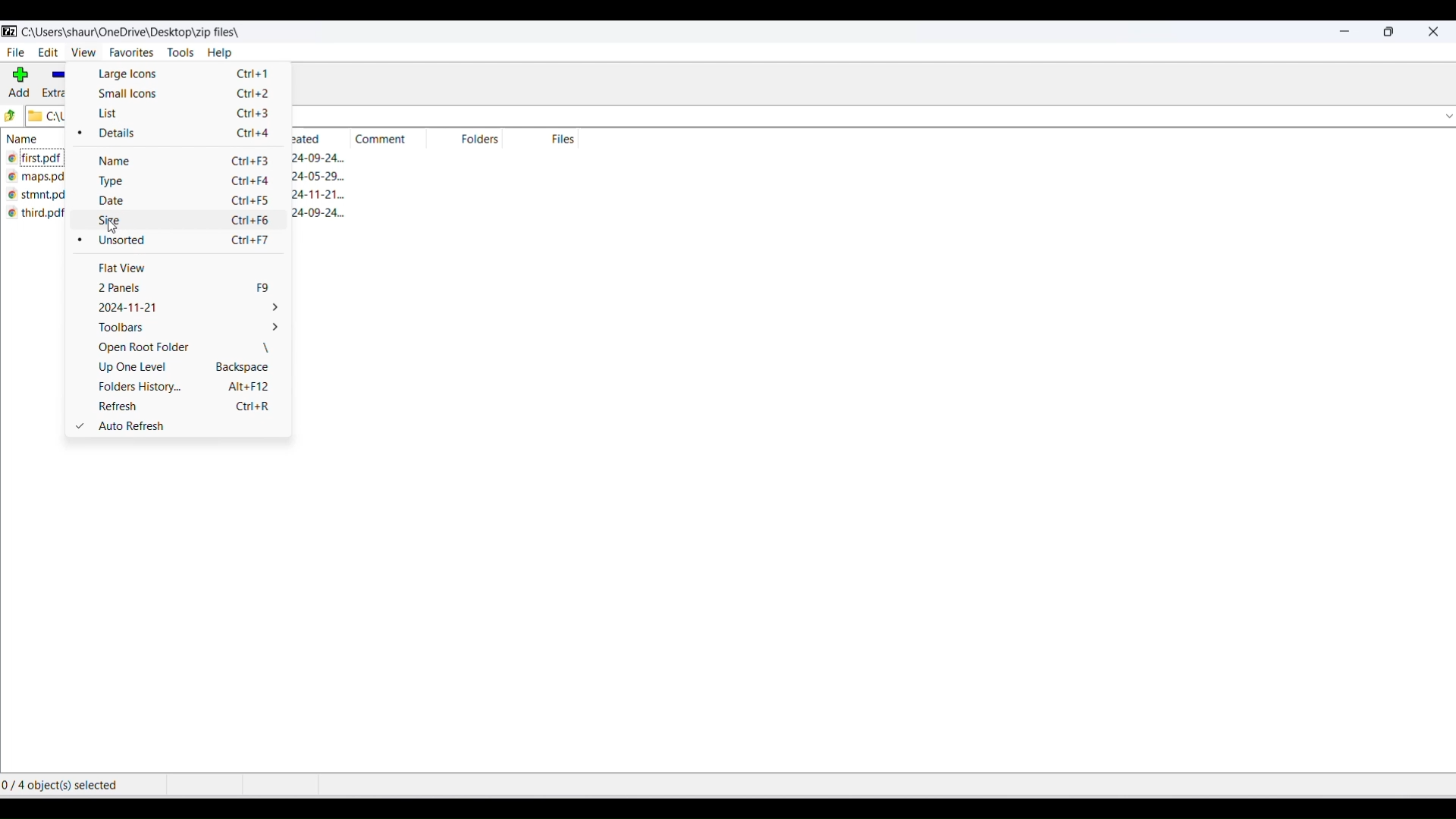  What do you see at coordinates (184, 184) in the screenshot?
I see `type` at bounding box center [184, 184].